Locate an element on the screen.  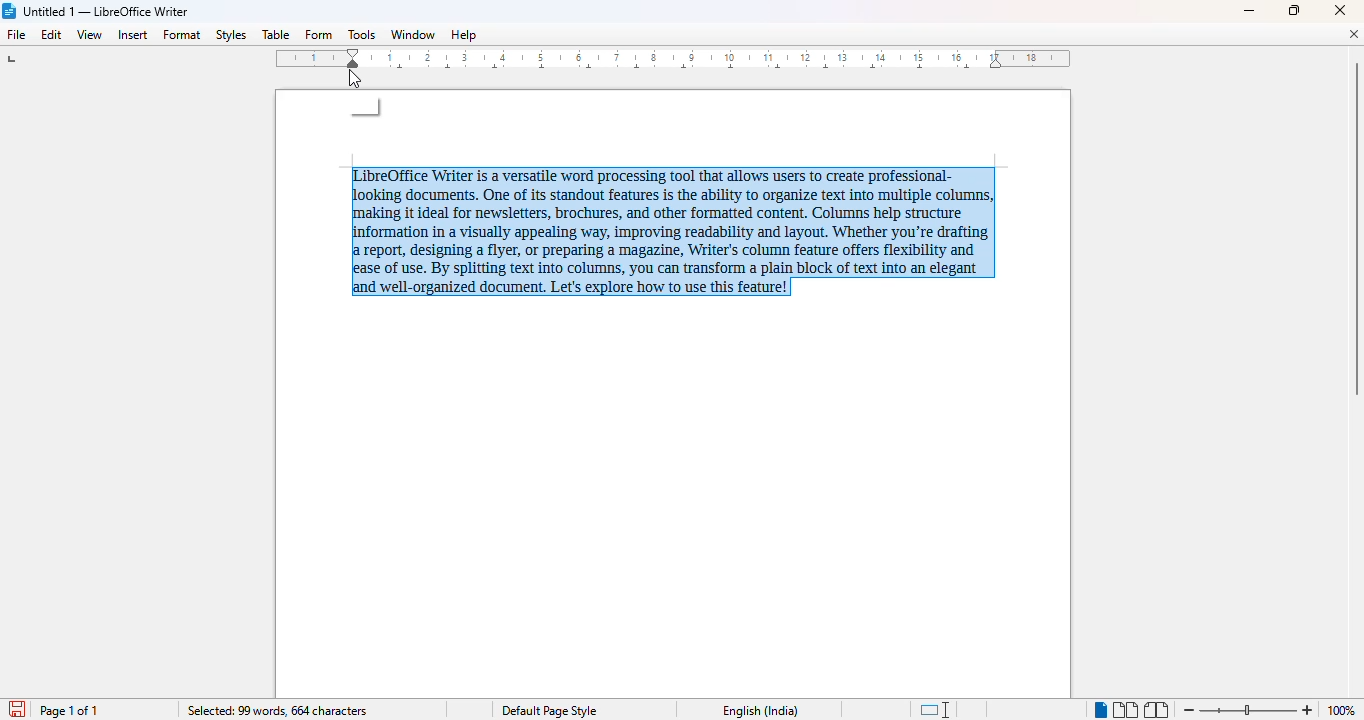
help is located at coordinates (464, 34).